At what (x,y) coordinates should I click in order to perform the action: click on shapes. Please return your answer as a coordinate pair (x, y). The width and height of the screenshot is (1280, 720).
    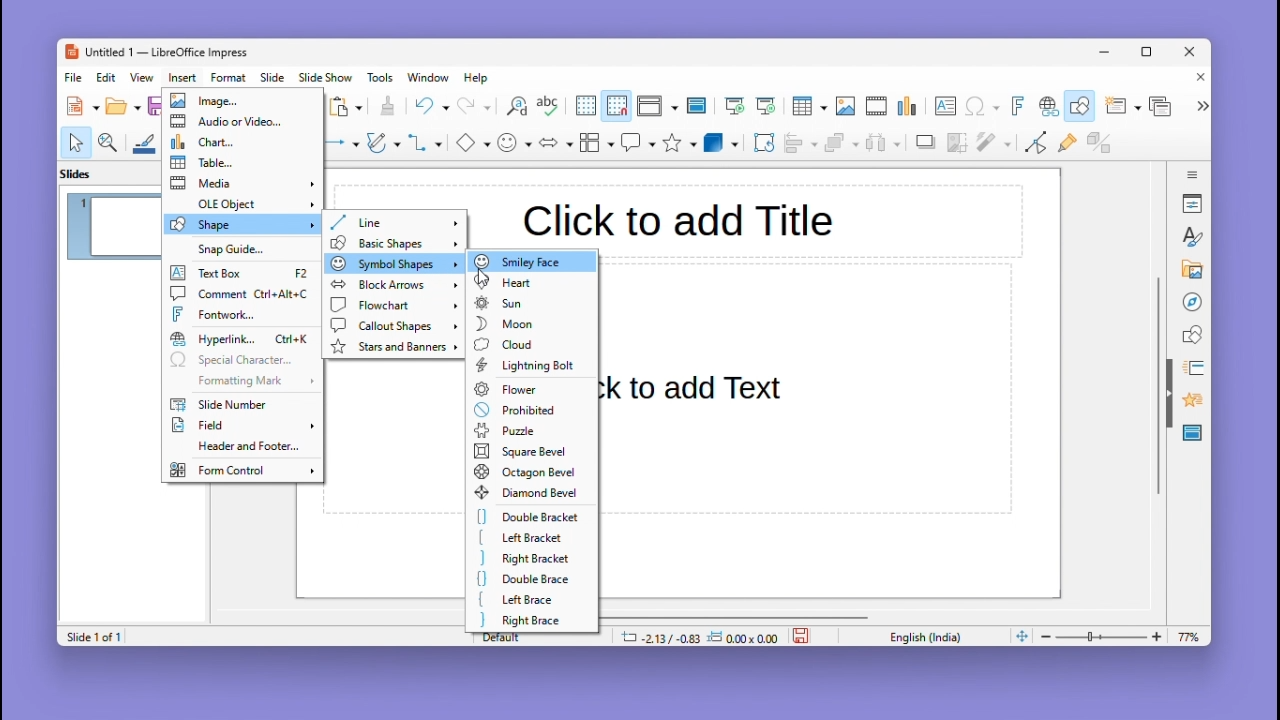
    Looking at the image, I should click on (1192, 333).